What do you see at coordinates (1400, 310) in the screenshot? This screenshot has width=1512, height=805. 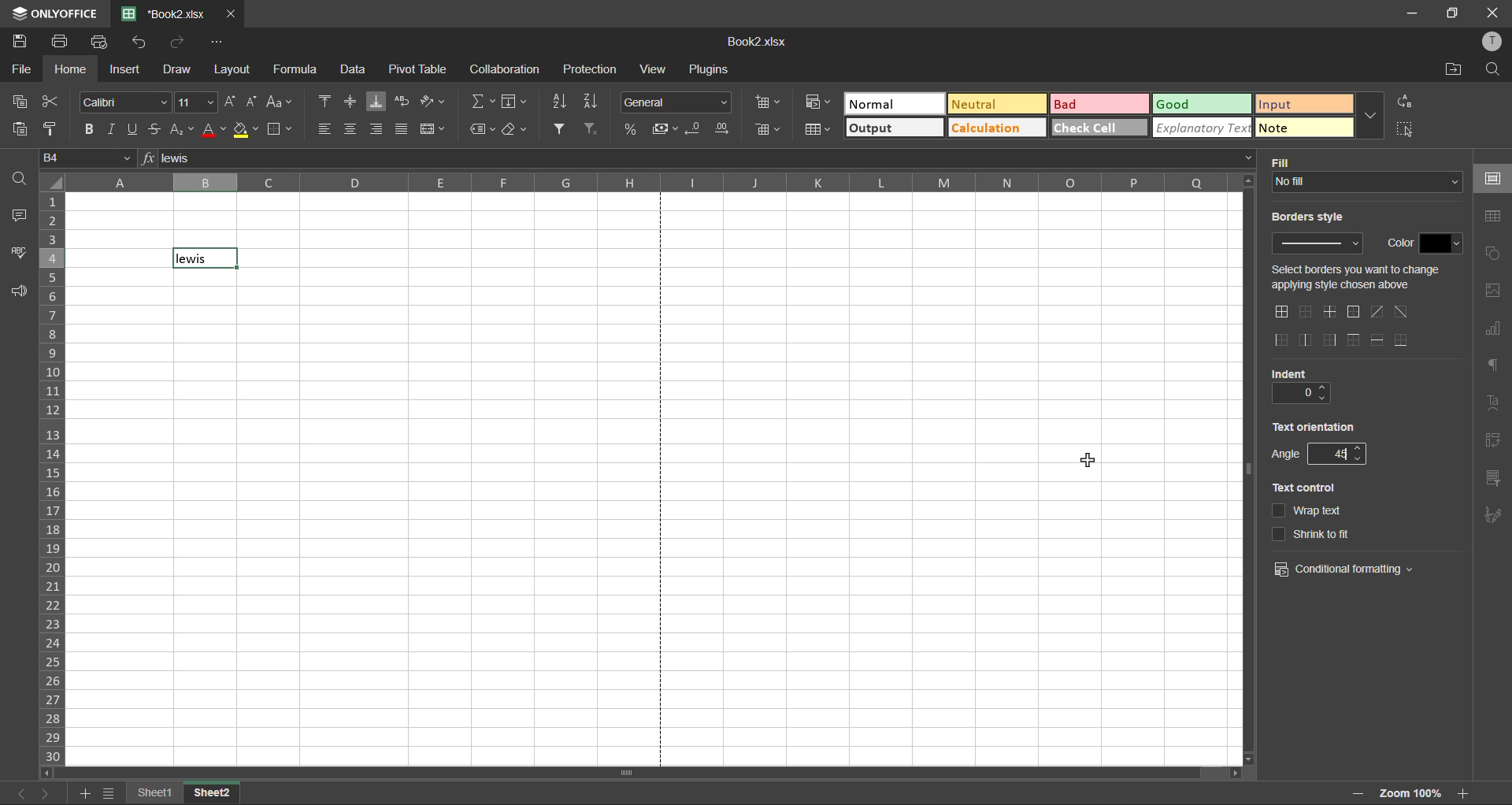 I see `diagonal down border` at bounding box center [1400, 310].